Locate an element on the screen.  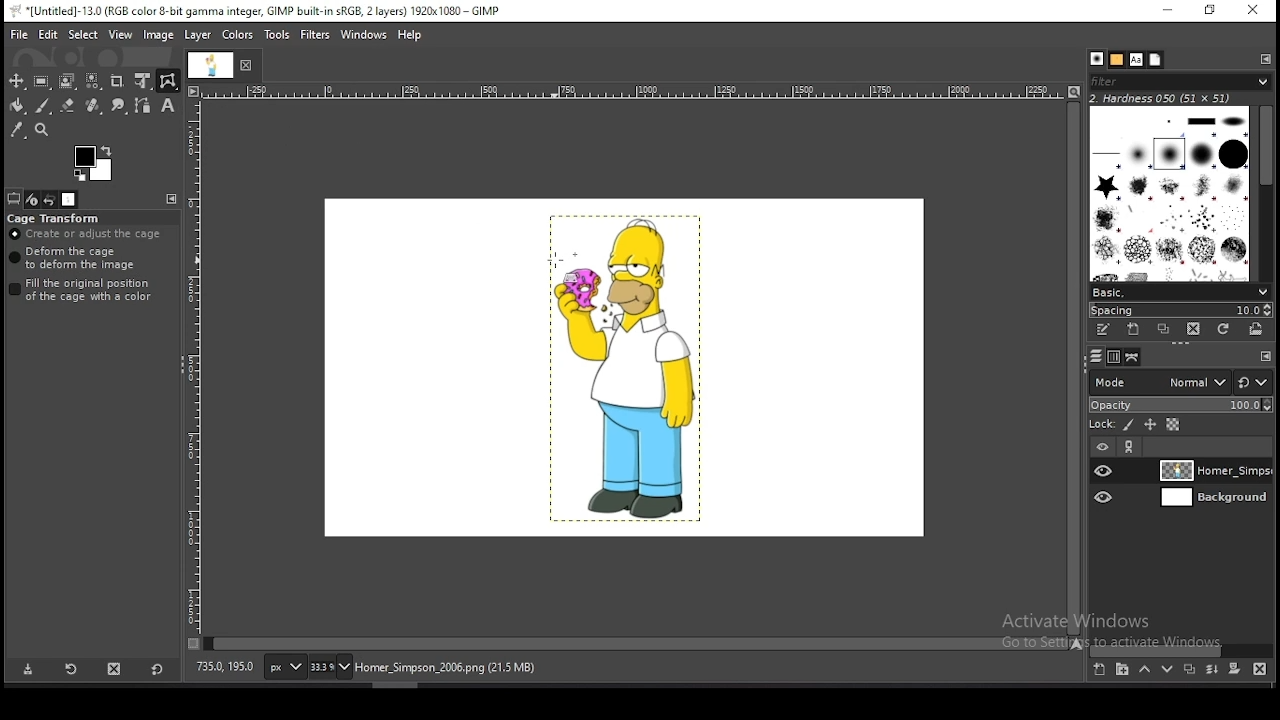
colors is located at coordinates (237, 35).